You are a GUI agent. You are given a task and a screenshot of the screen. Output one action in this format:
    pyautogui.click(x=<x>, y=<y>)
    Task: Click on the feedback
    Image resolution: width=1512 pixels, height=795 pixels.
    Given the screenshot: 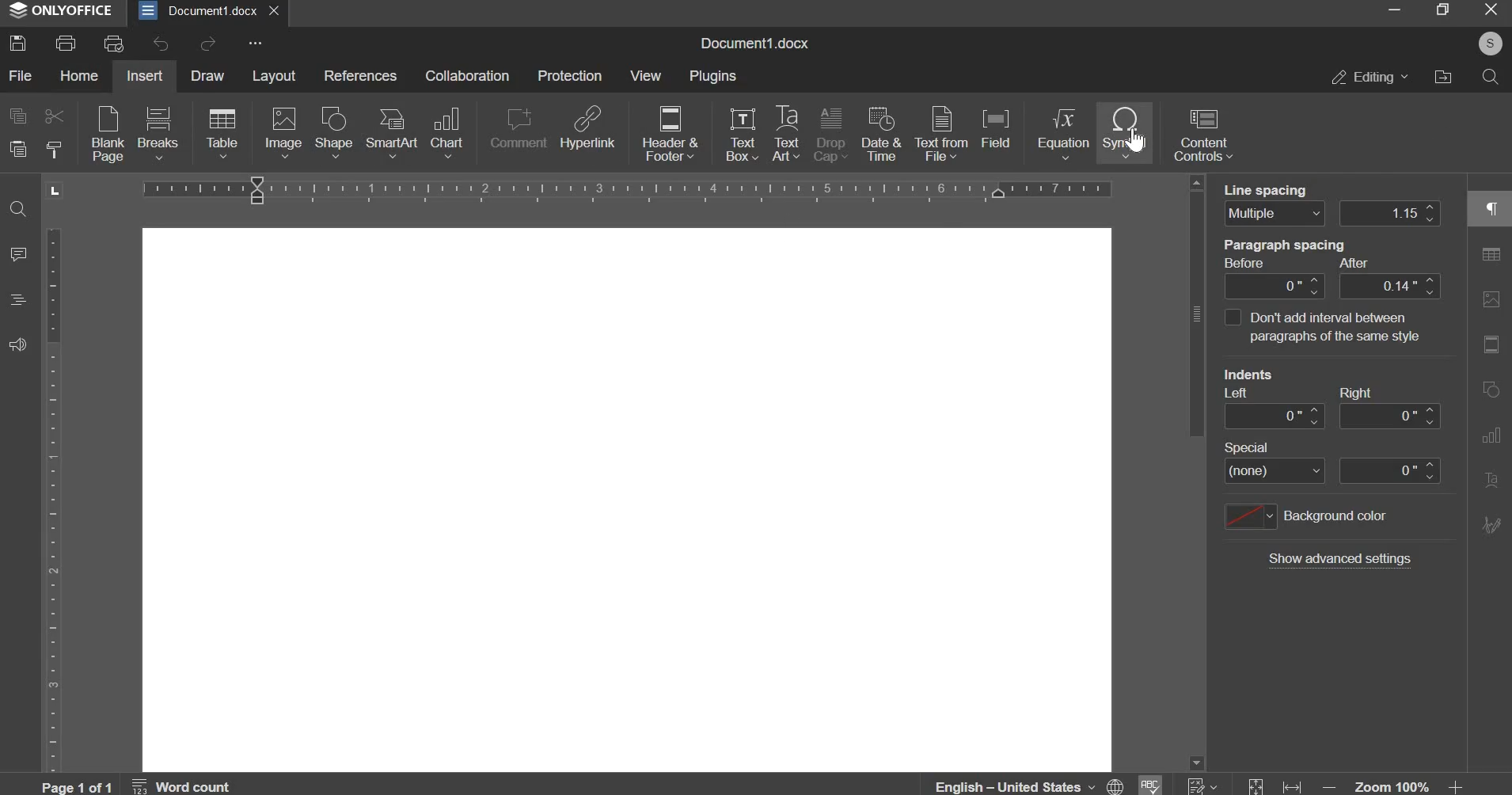 What is the action you would take?
    pyautogui.click(x=17, y=344)
    